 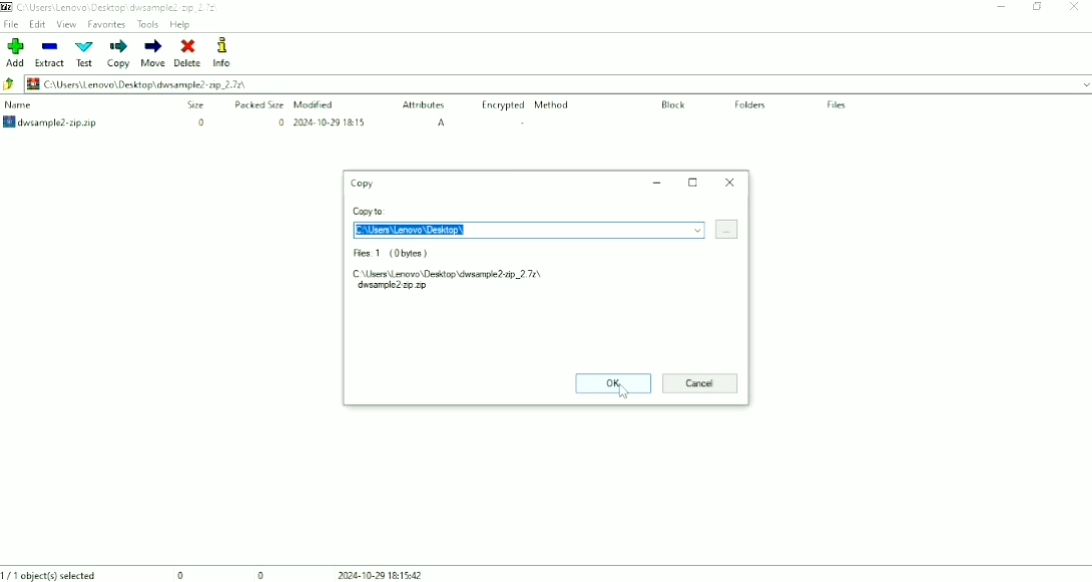 I want to click on Size, so click(x=195, y=105).